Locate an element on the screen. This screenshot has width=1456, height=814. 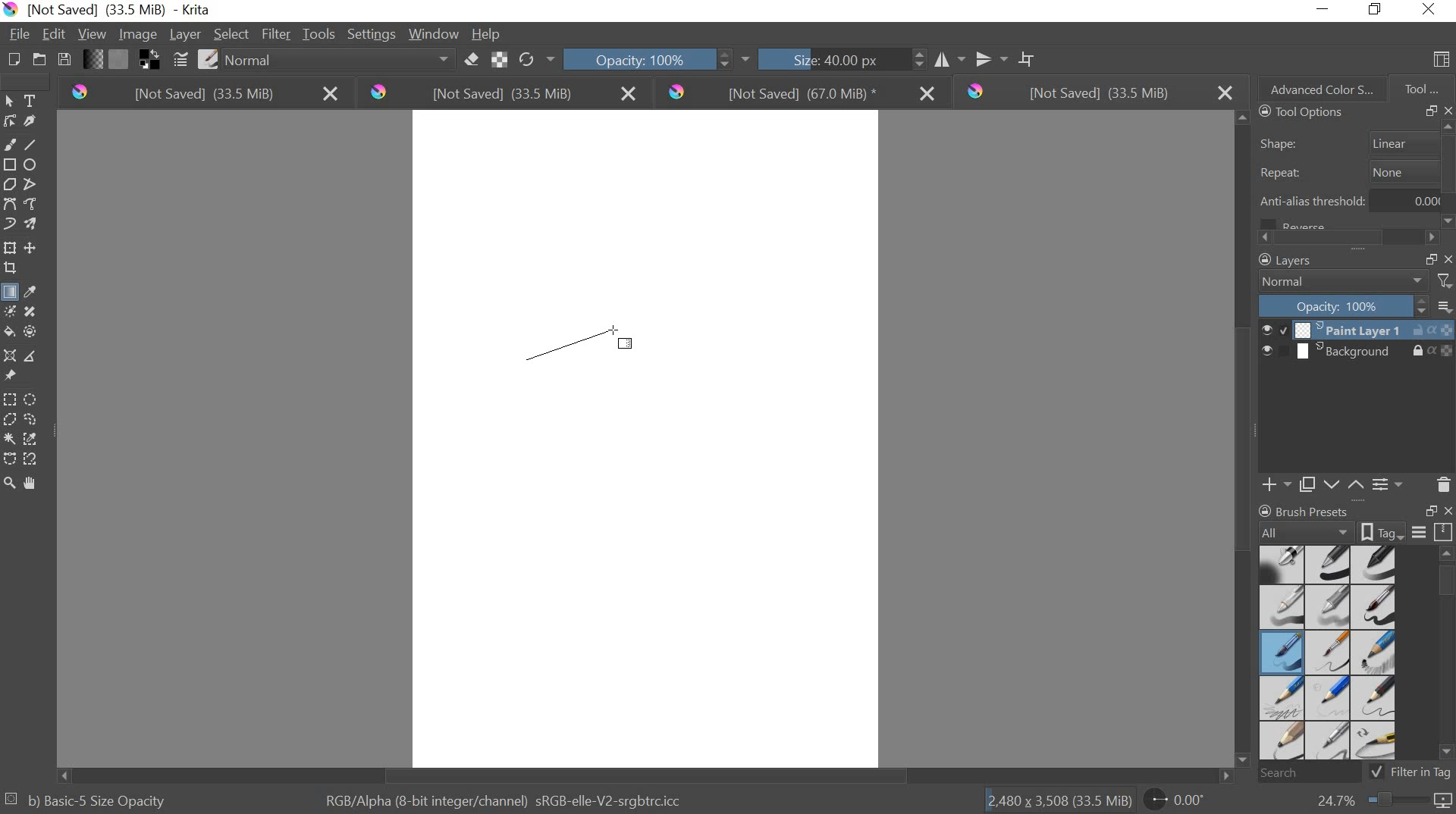
RESTORE DOWN is located at coordinates (1430, 258).